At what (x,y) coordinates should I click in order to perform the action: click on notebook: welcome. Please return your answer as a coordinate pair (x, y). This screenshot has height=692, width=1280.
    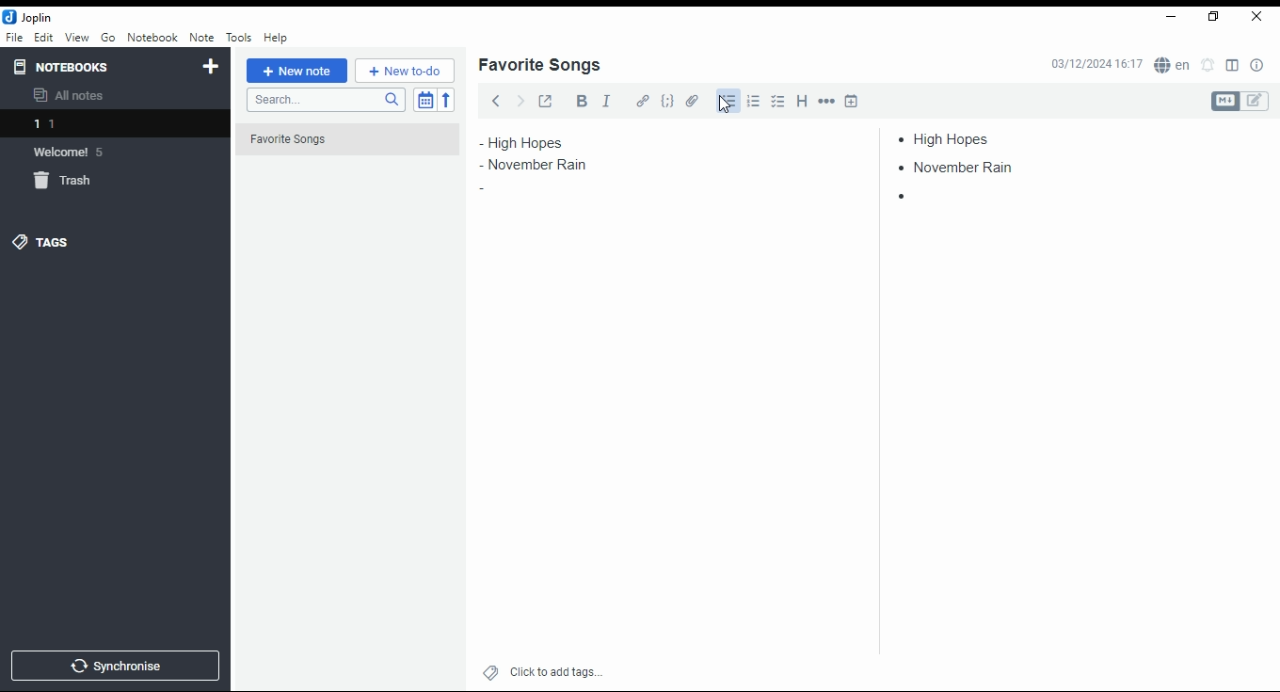
    Looking at the image, I should click on (73, 151).